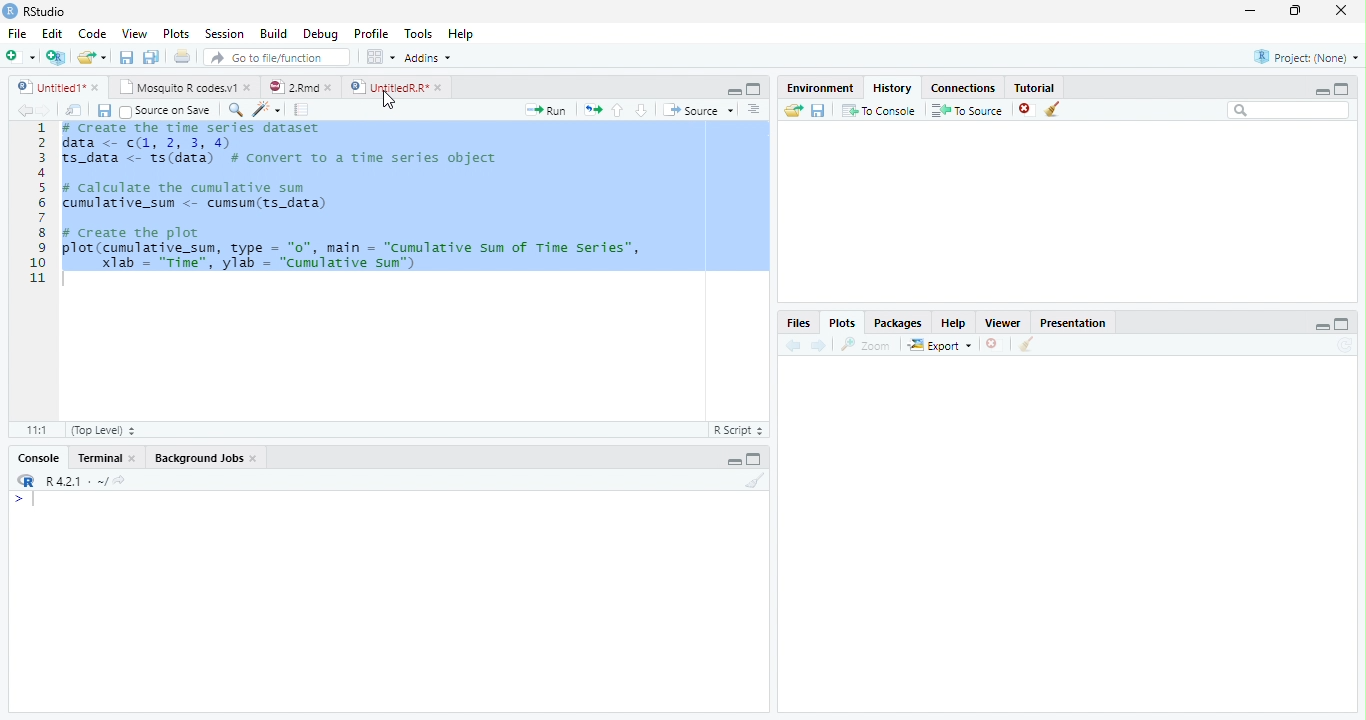  I want to click on Help, so click(462, 36).